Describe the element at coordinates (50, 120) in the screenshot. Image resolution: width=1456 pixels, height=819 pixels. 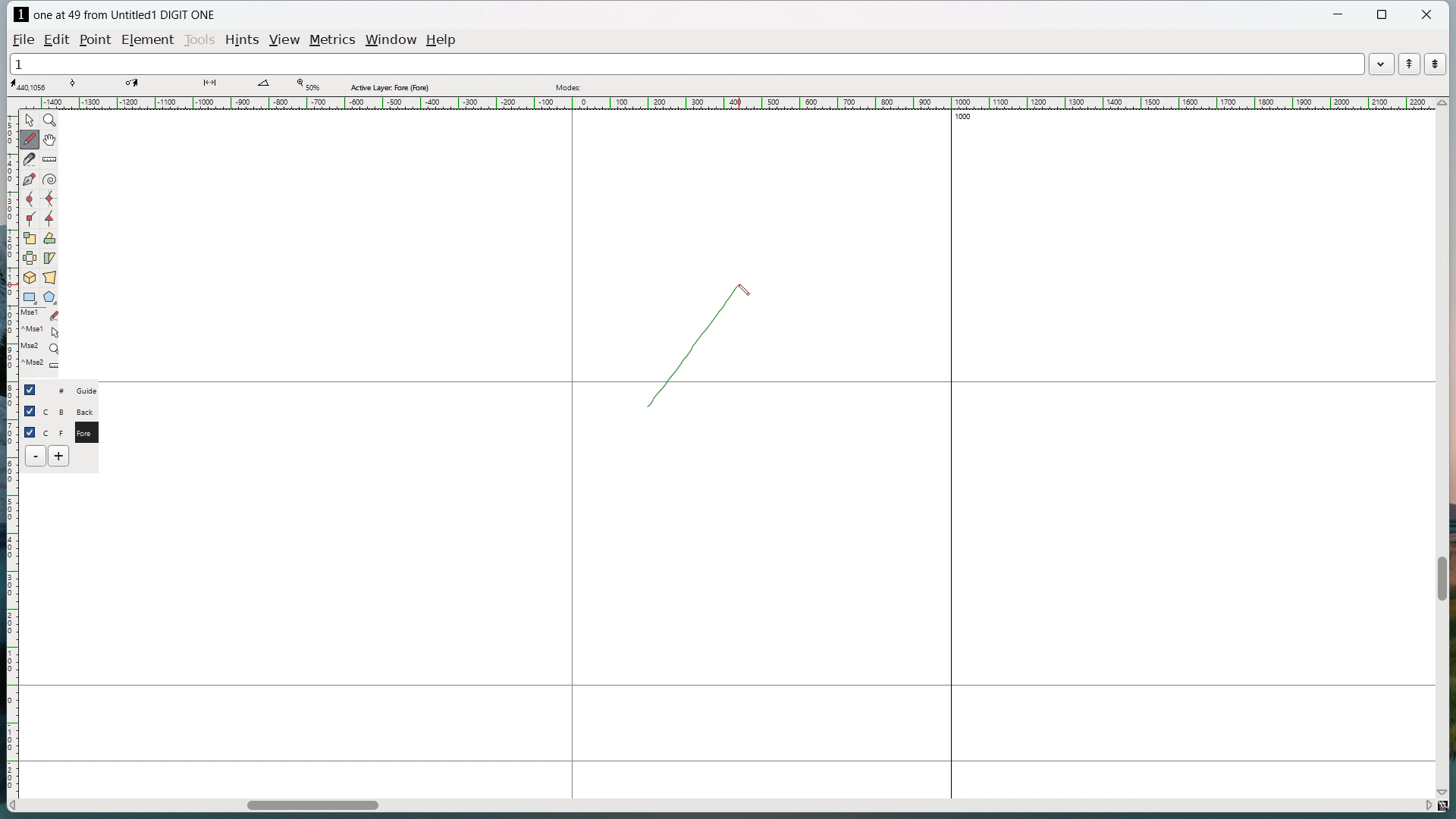
I see `magnify` at that location.